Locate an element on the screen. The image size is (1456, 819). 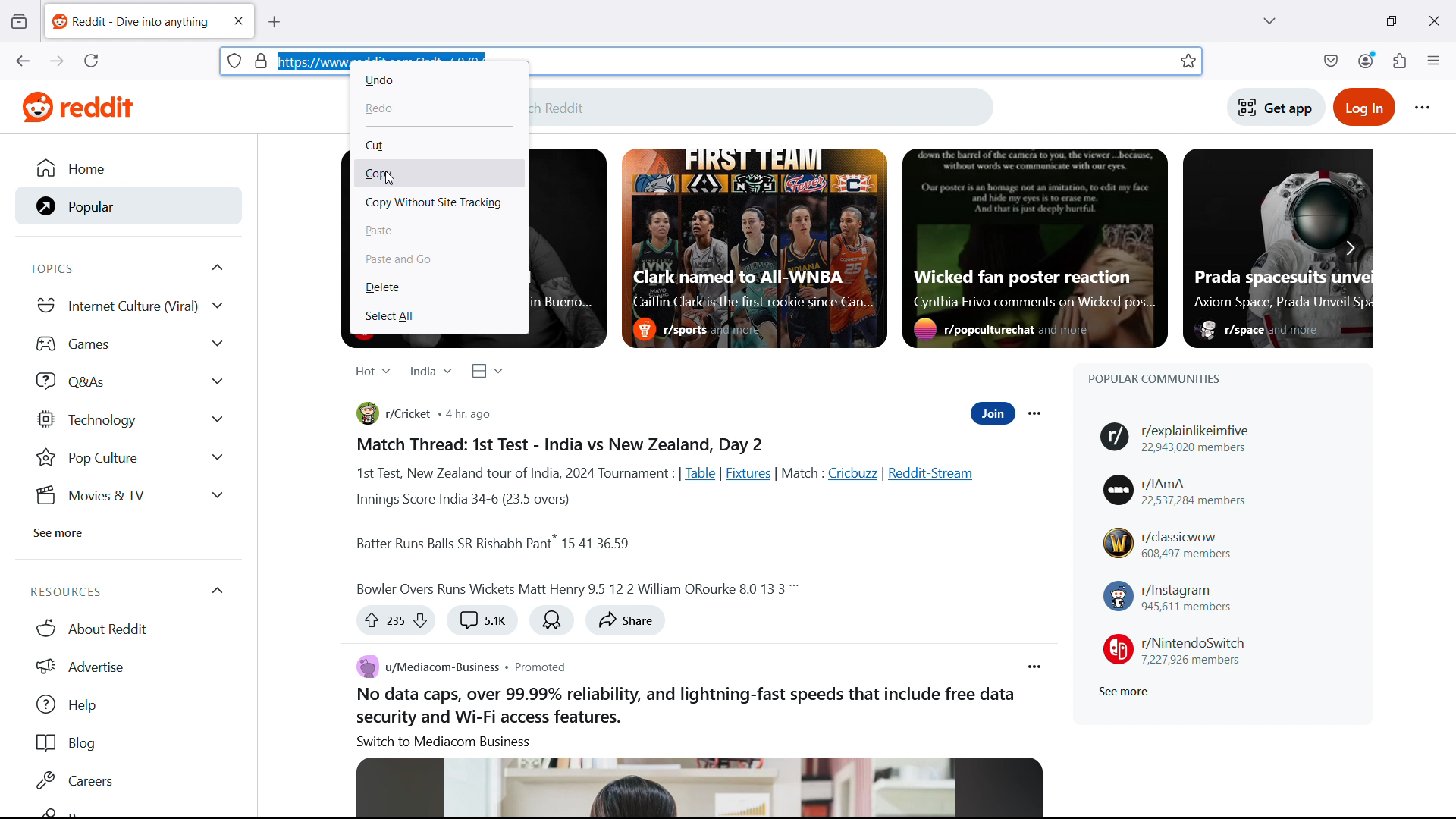
list all tabs is located at coordinates (1268, 19).